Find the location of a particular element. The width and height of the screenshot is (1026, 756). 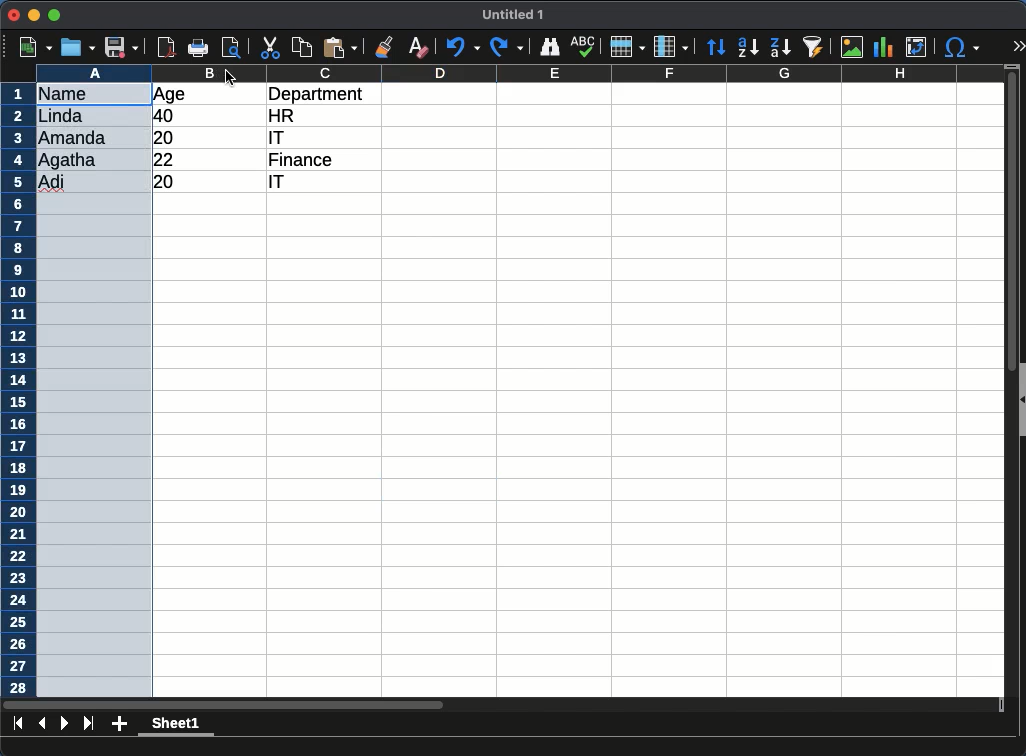

print is located at coordinates (201, 47).